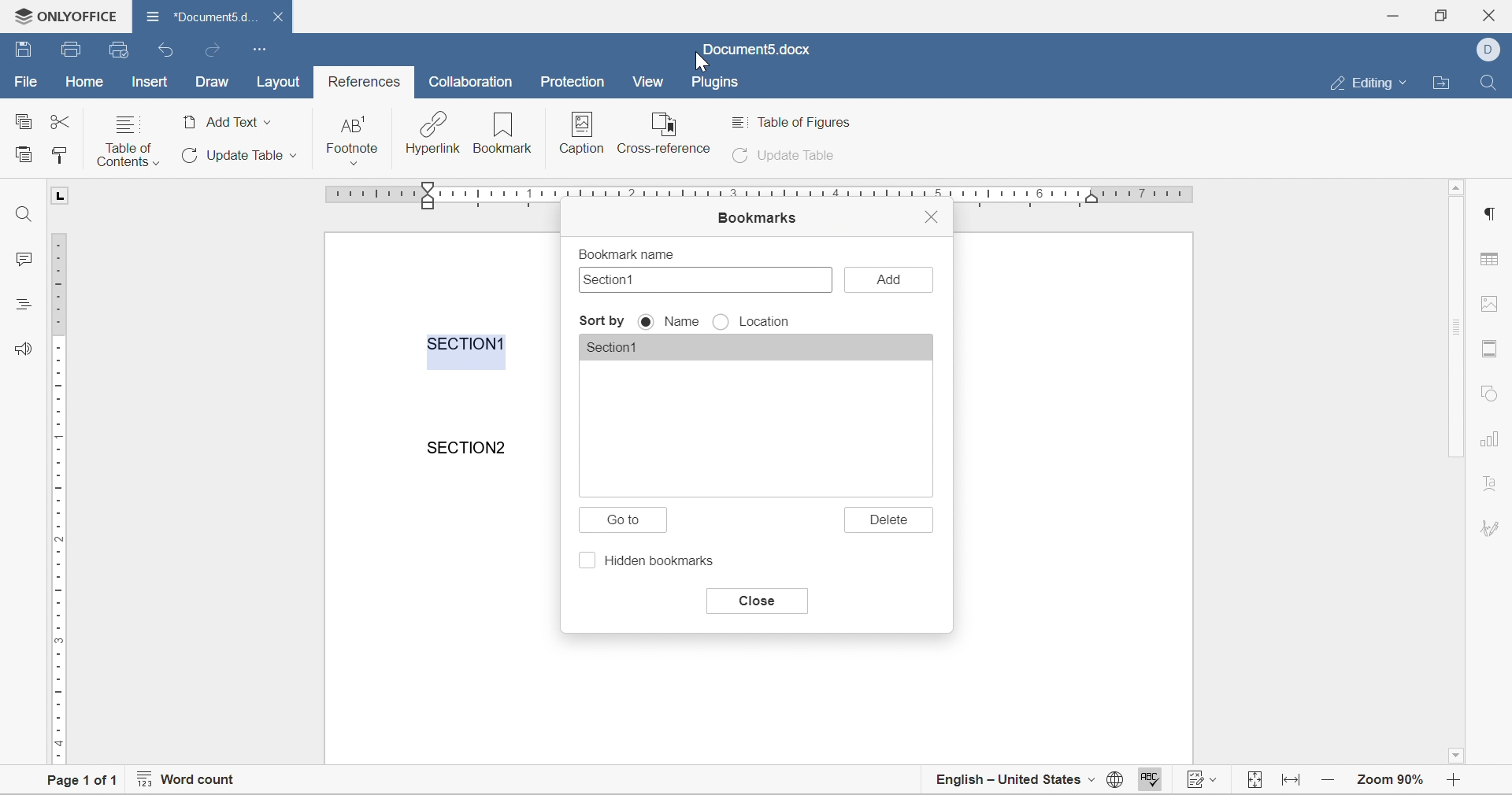  What do you see at coordinates (628, 522) in the screenshot?
I see `go to` at bounding box center [628, 522].